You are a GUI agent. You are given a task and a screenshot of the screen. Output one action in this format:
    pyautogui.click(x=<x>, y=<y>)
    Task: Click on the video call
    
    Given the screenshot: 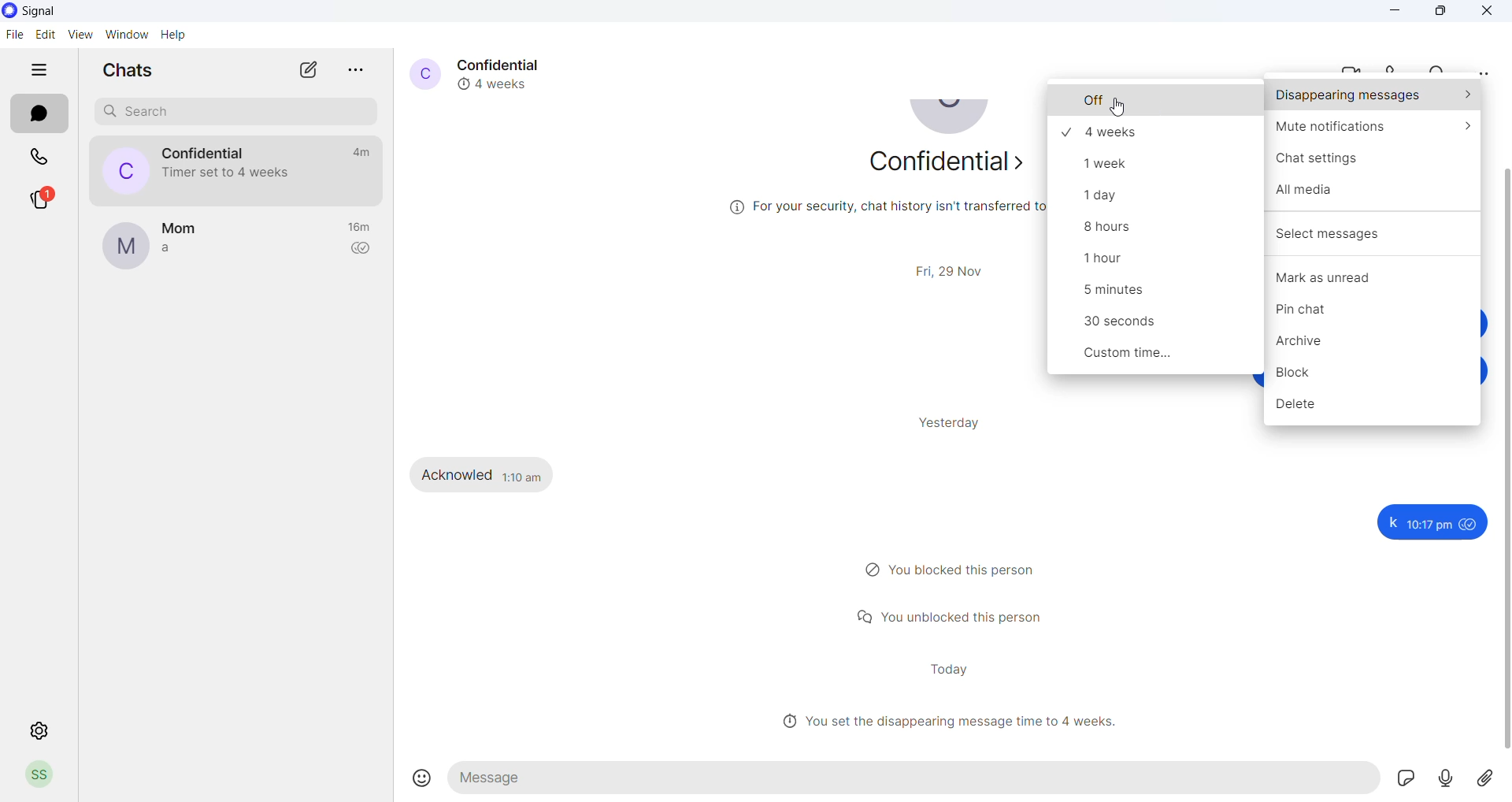 What is the action you would take?
    pyautogui.click(x=1355, y=66)
    